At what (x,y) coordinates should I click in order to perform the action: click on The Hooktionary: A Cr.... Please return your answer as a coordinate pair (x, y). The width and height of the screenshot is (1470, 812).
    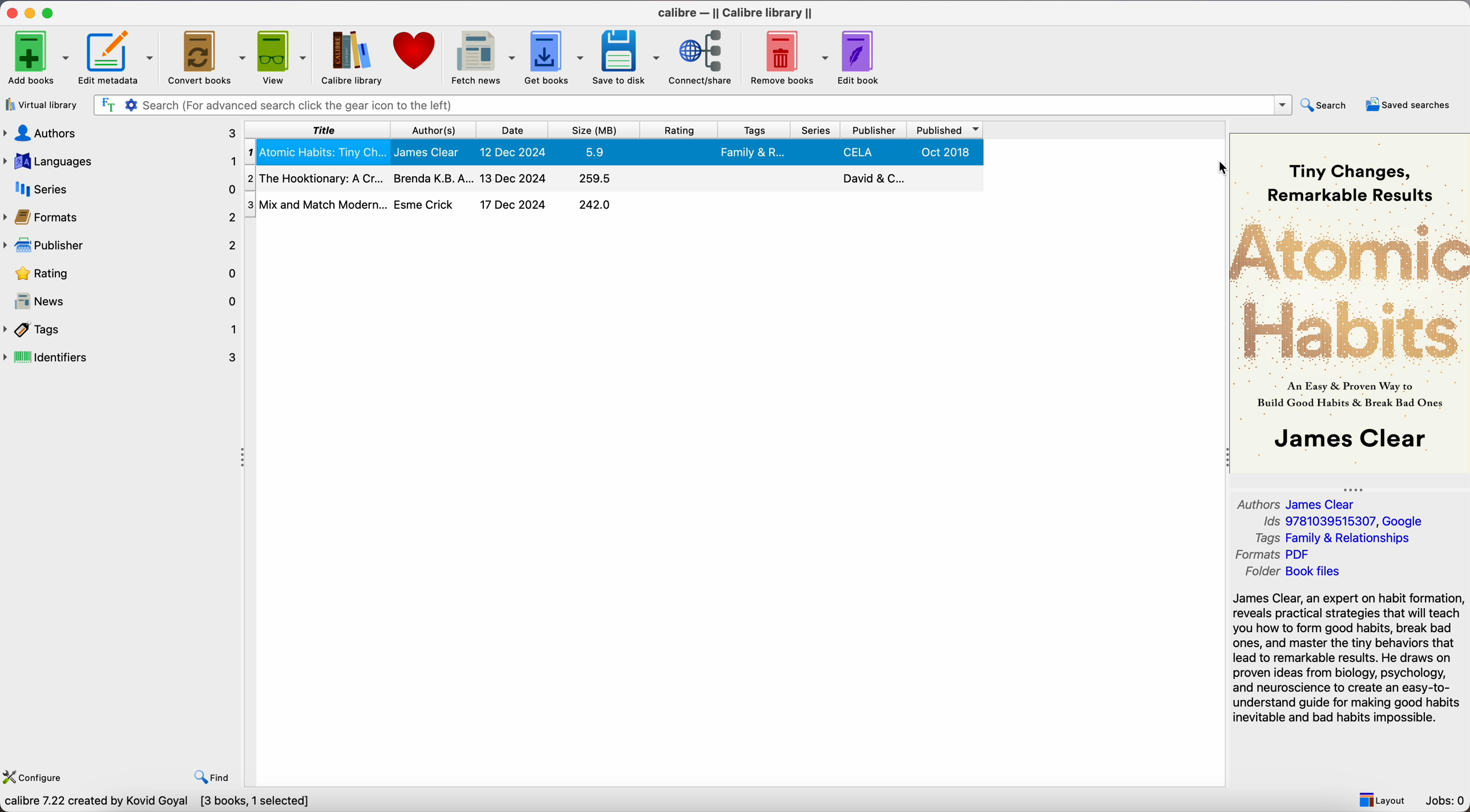
    Looking at the image, I should click on (317, 177).